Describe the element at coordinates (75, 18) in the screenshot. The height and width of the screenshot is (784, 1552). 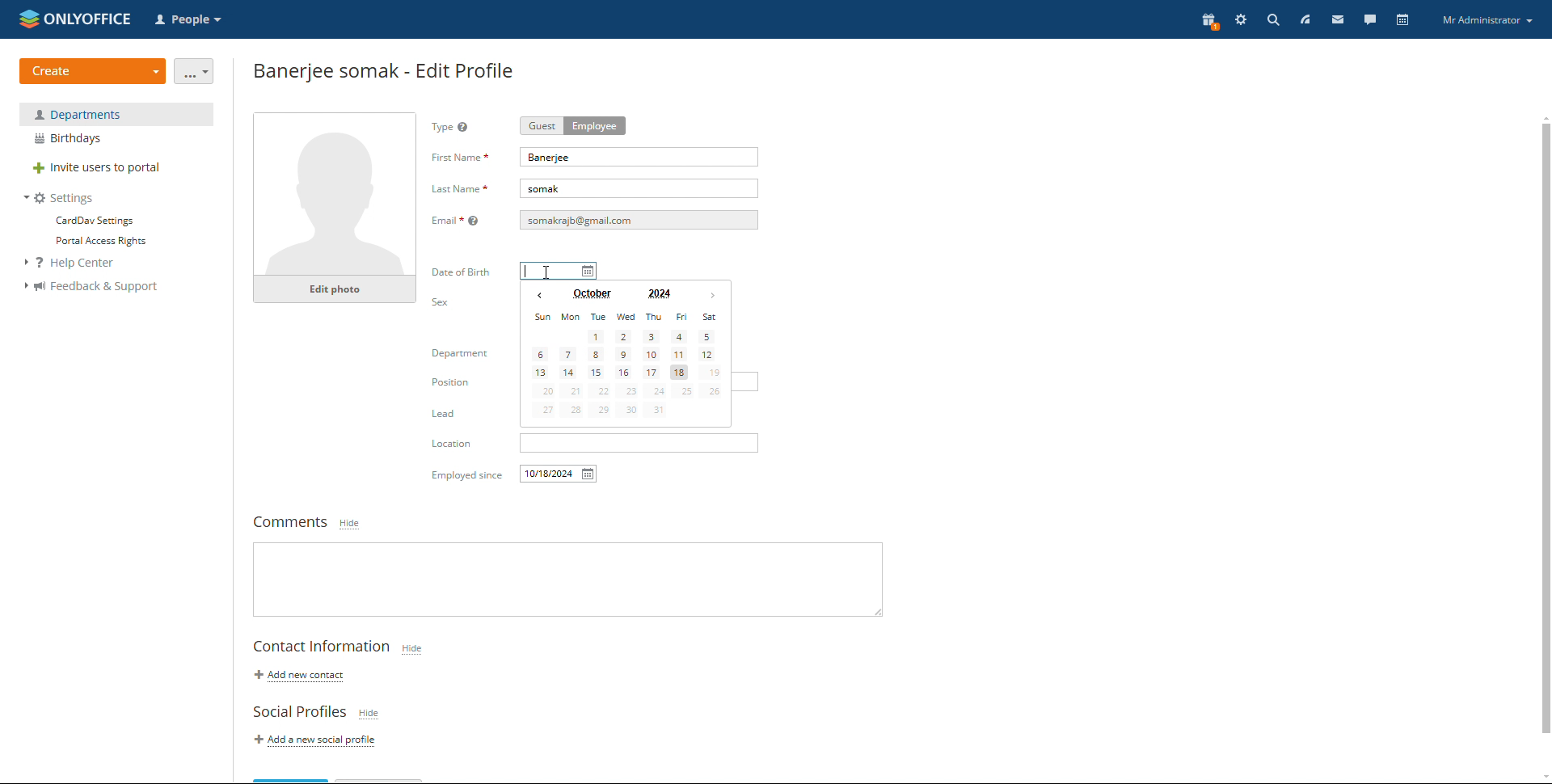
I see `logo` at that location.